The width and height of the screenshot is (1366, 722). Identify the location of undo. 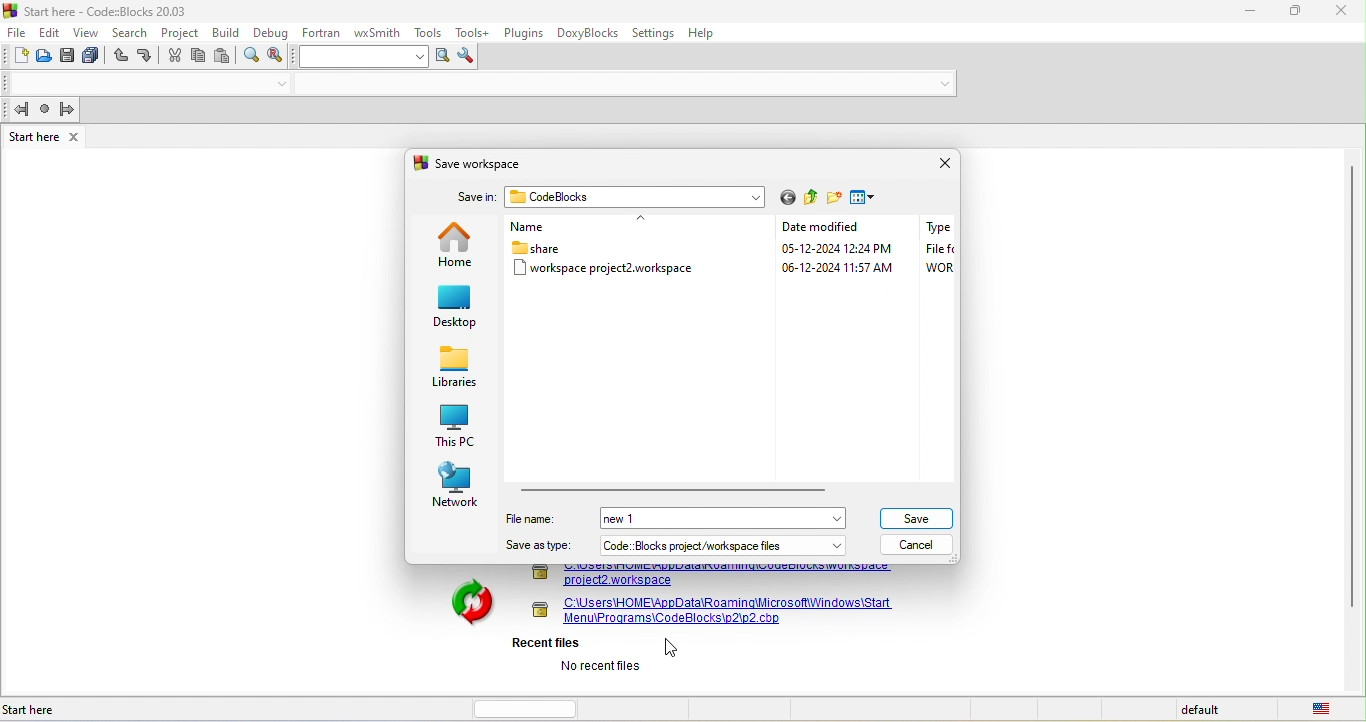
(120, 58).